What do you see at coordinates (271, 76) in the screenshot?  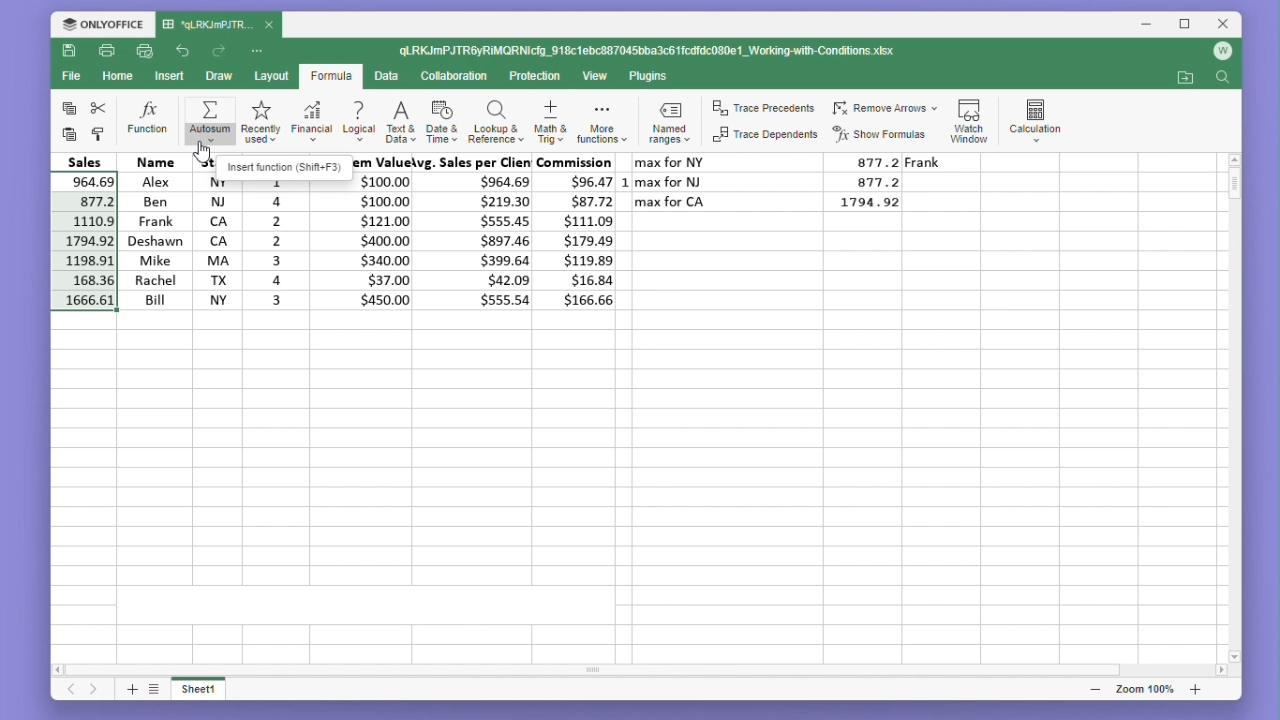 I see `Layout` at bounding box center [271, 76].